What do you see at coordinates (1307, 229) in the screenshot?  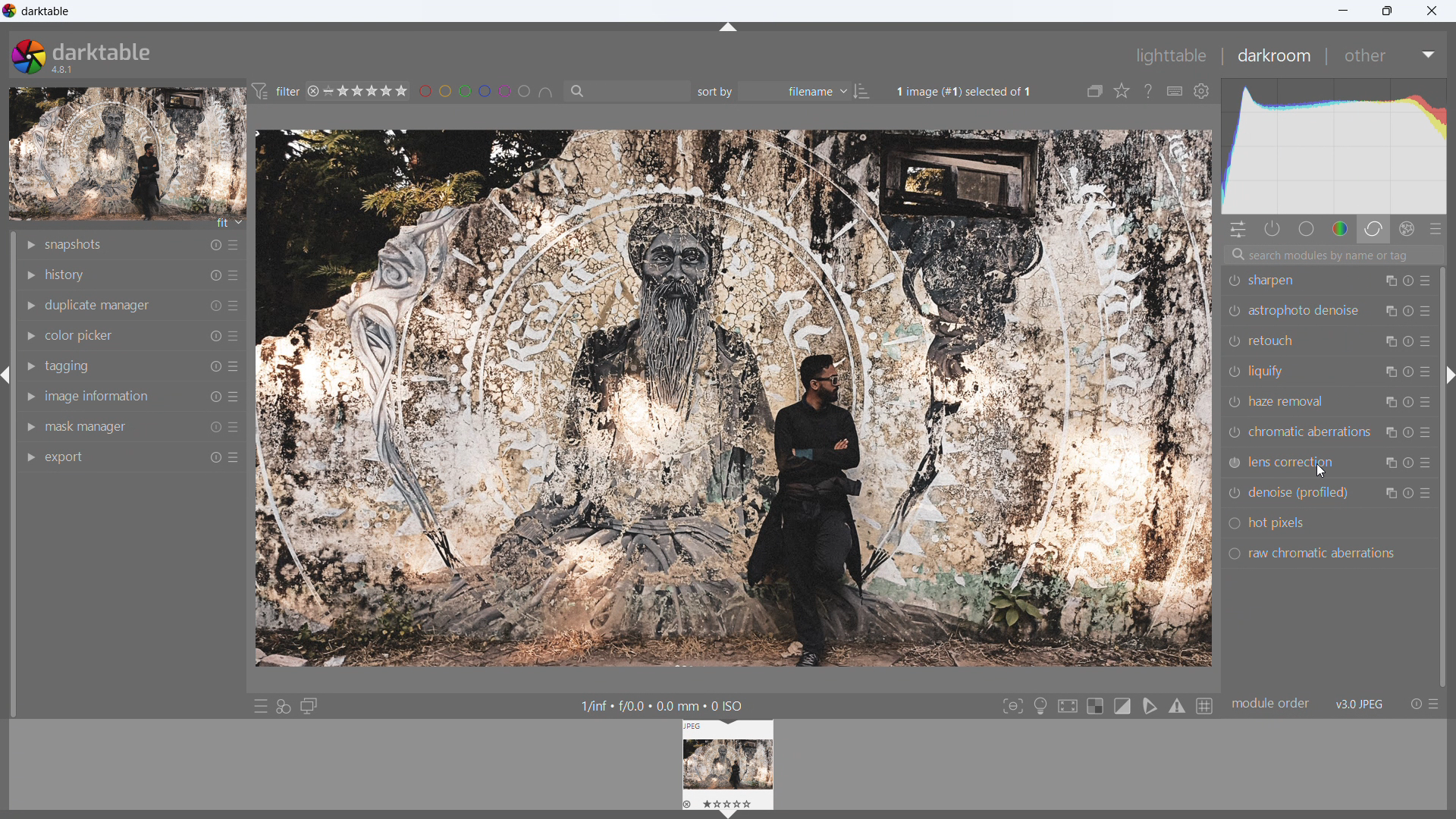 I see `base` at bounding box center [1307, 229].